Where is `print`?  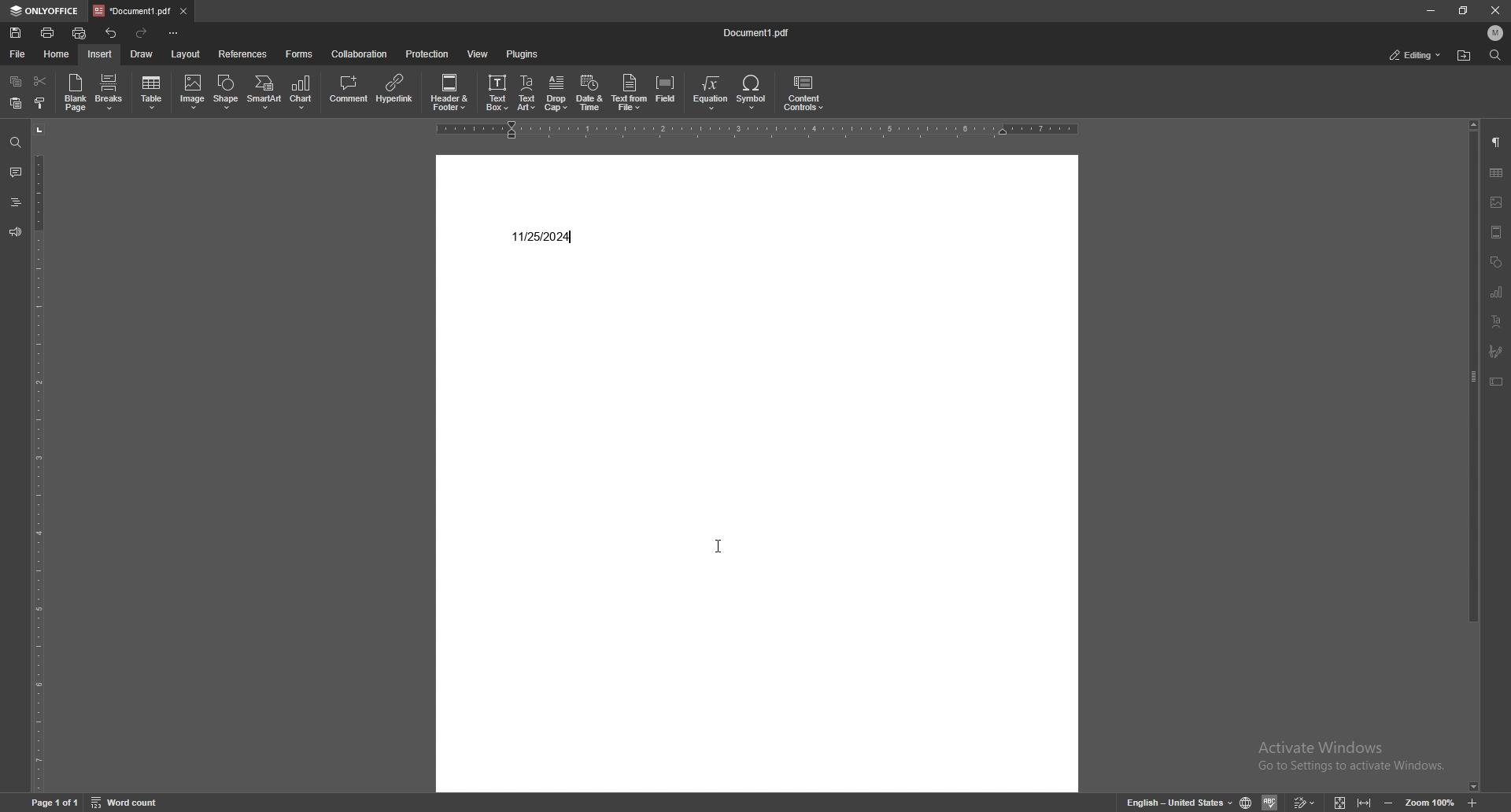
print is located at coordinates (47, 33).